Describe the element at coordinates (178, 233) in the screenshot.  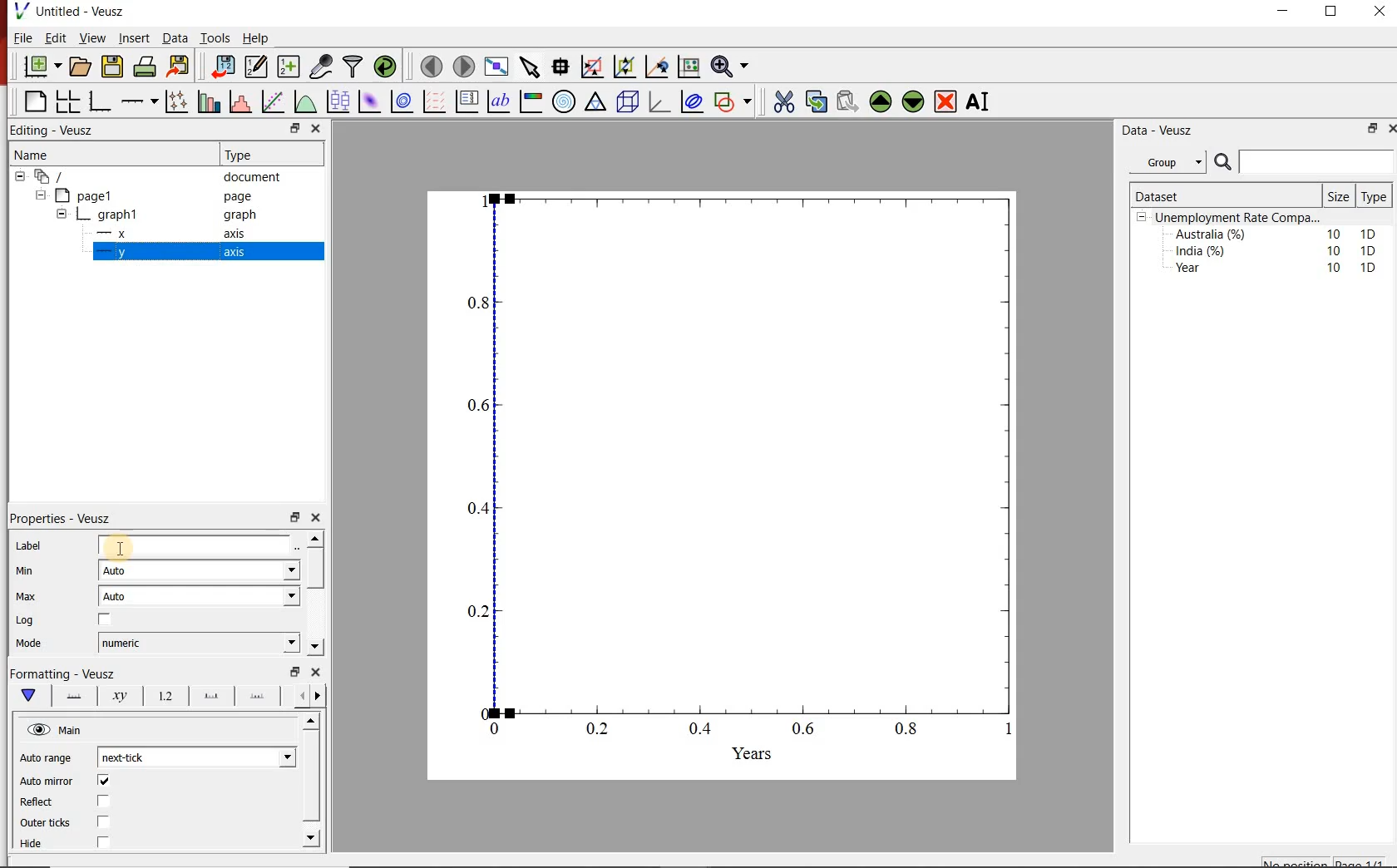
I see `x axis` at that location.